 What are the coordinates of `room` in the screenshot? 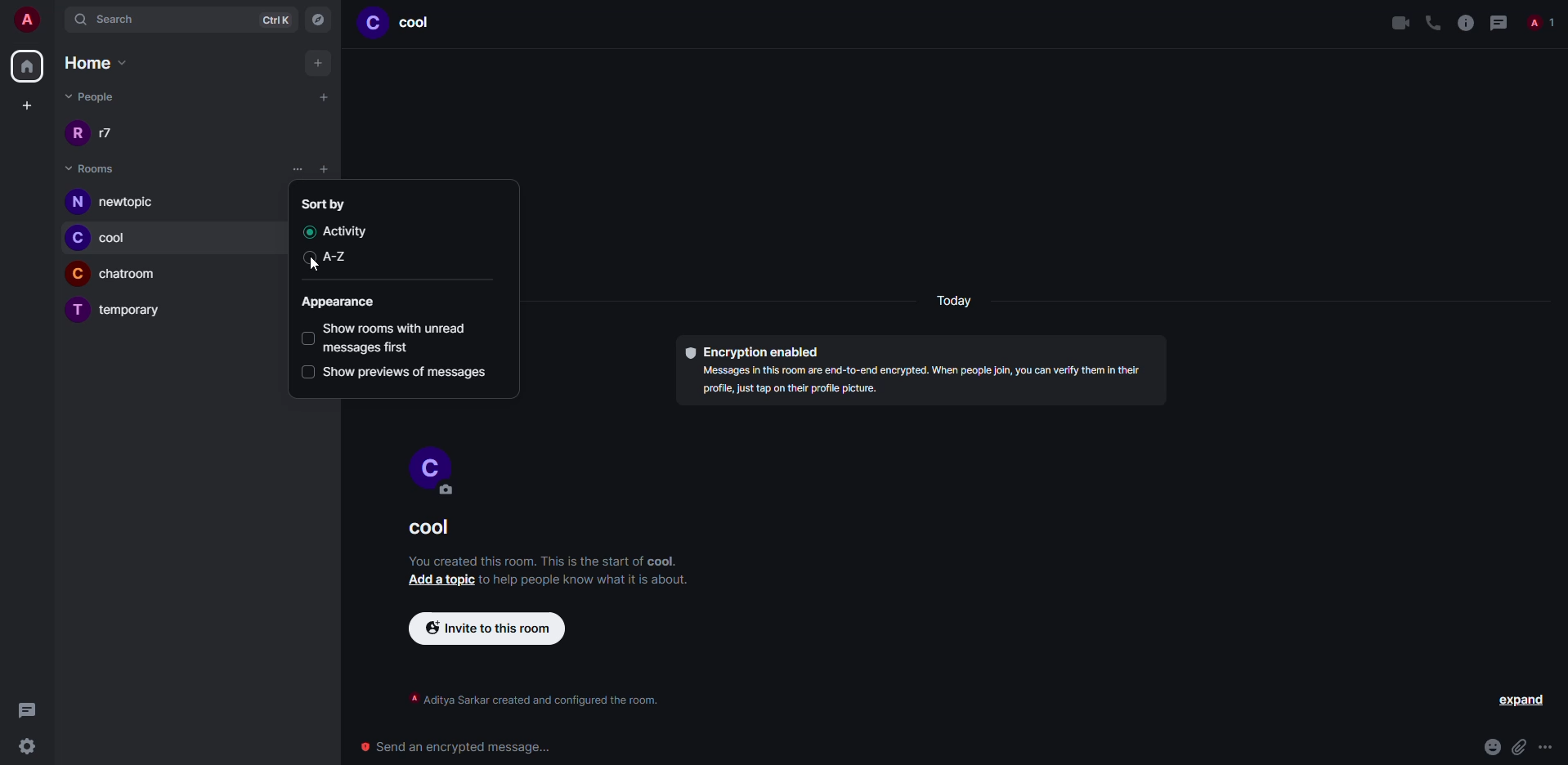 It's located at (126, 200).